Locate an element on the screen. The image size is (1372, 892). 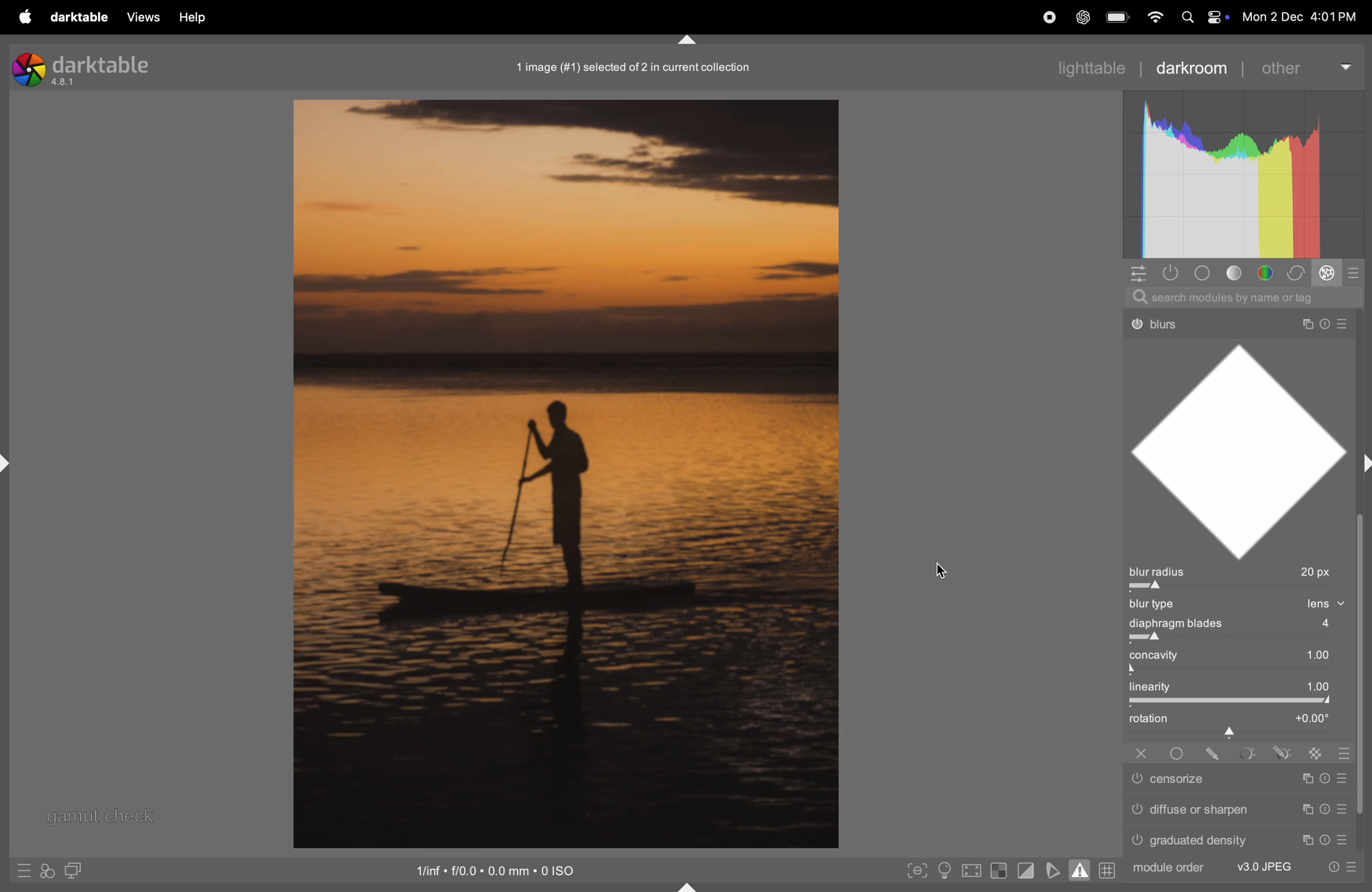
lighttable is located at coordinates (1065, 67).